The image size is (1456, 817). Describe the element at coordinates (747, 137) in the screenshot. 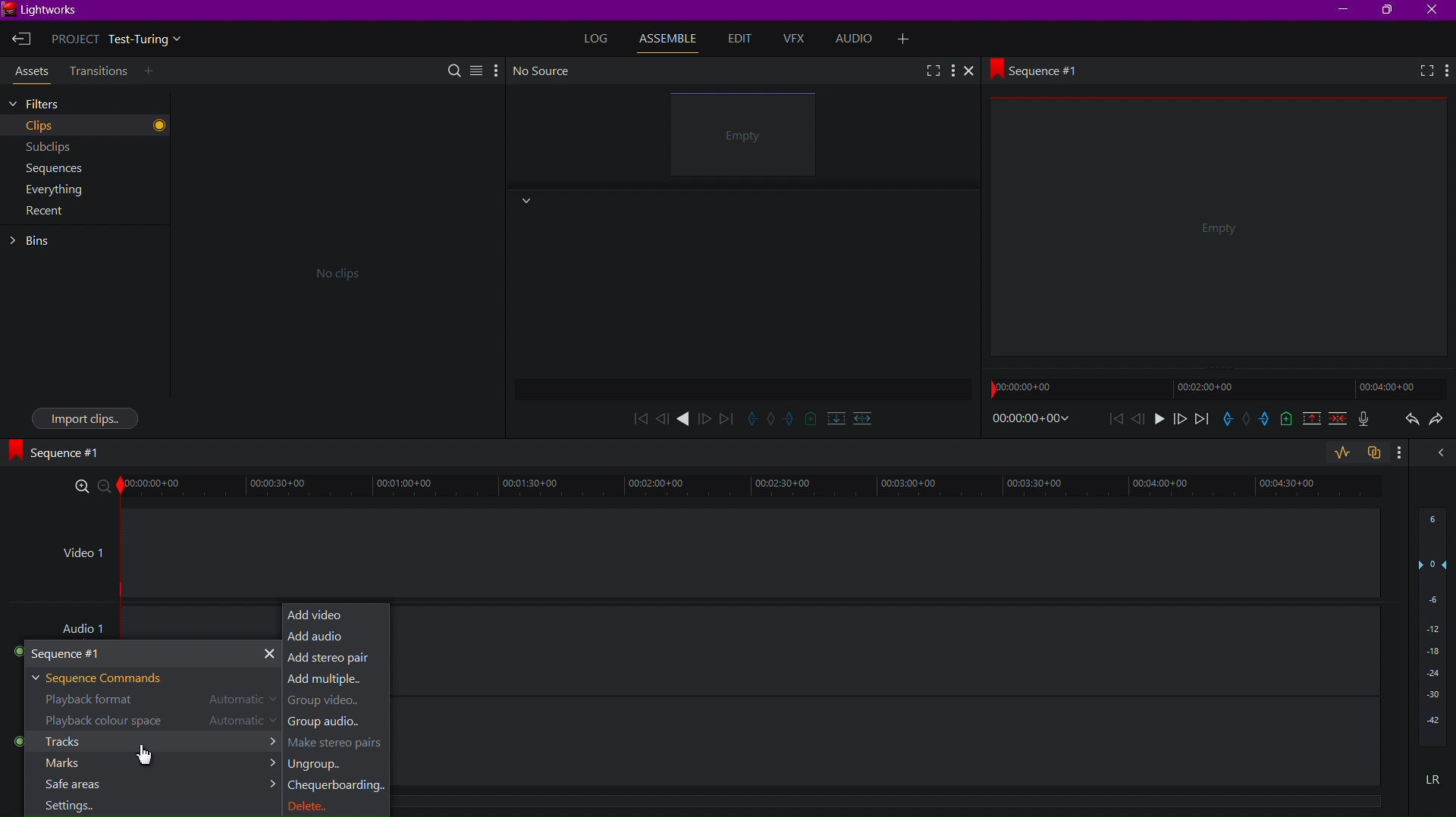

I see `Source View` at that location.